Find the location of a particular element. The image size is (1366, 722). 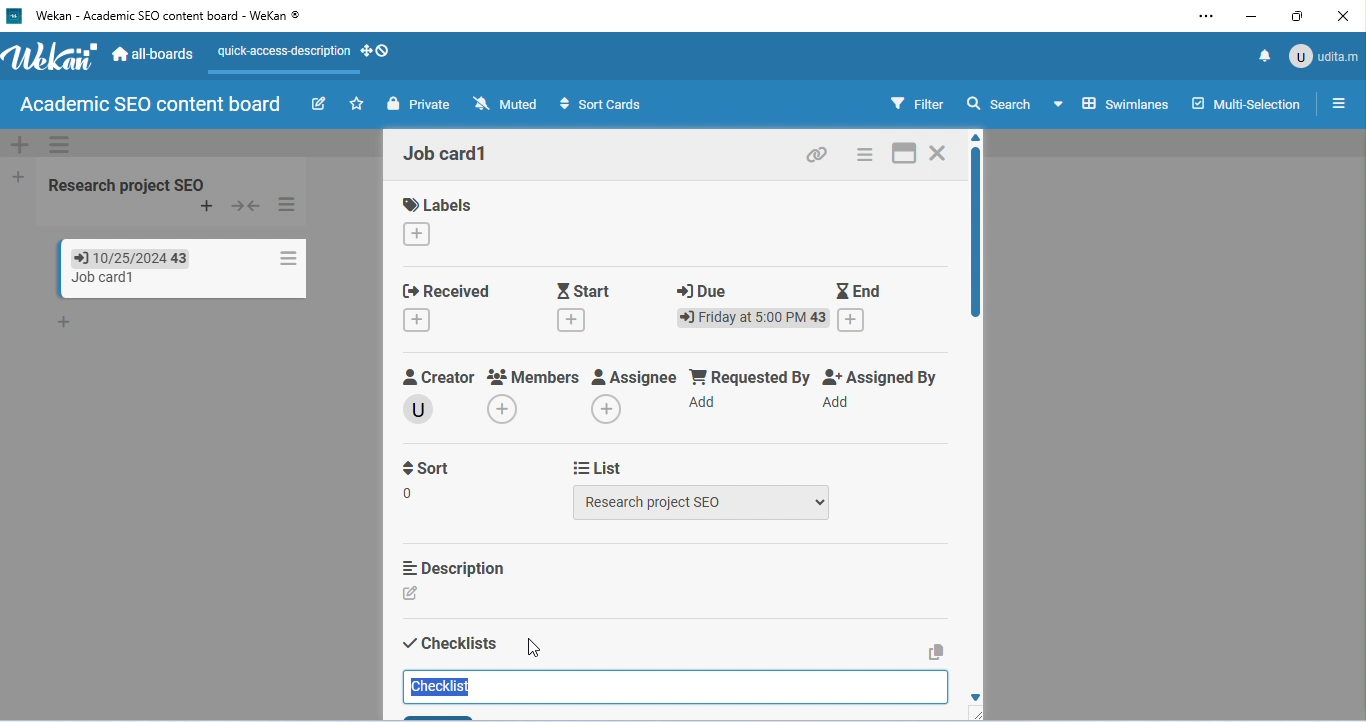

list actions is located at coordinates (289, 205).